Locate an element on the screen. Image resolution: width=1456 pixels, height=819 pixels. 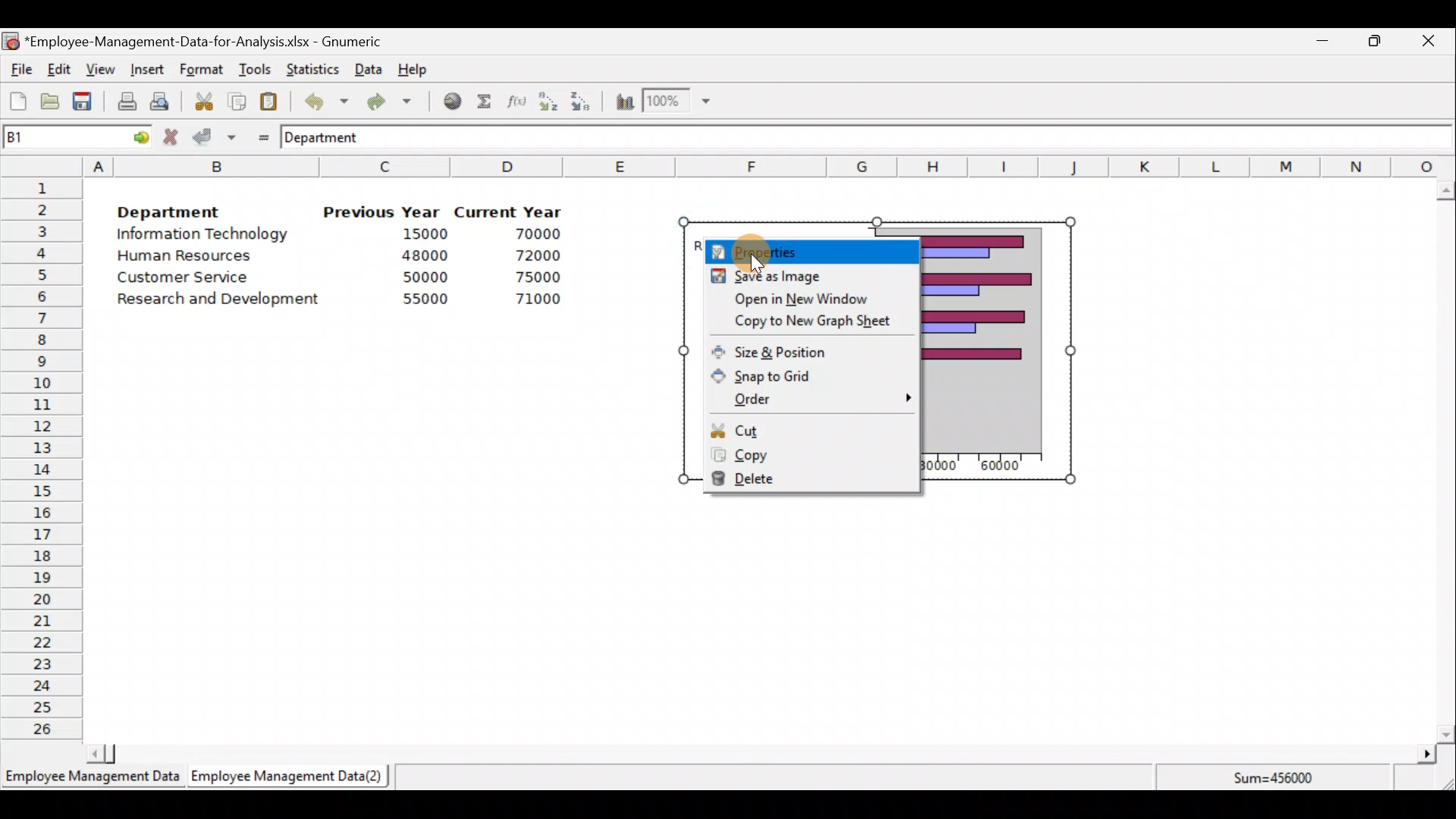
Research and Development is located at coordinates (224, 301).